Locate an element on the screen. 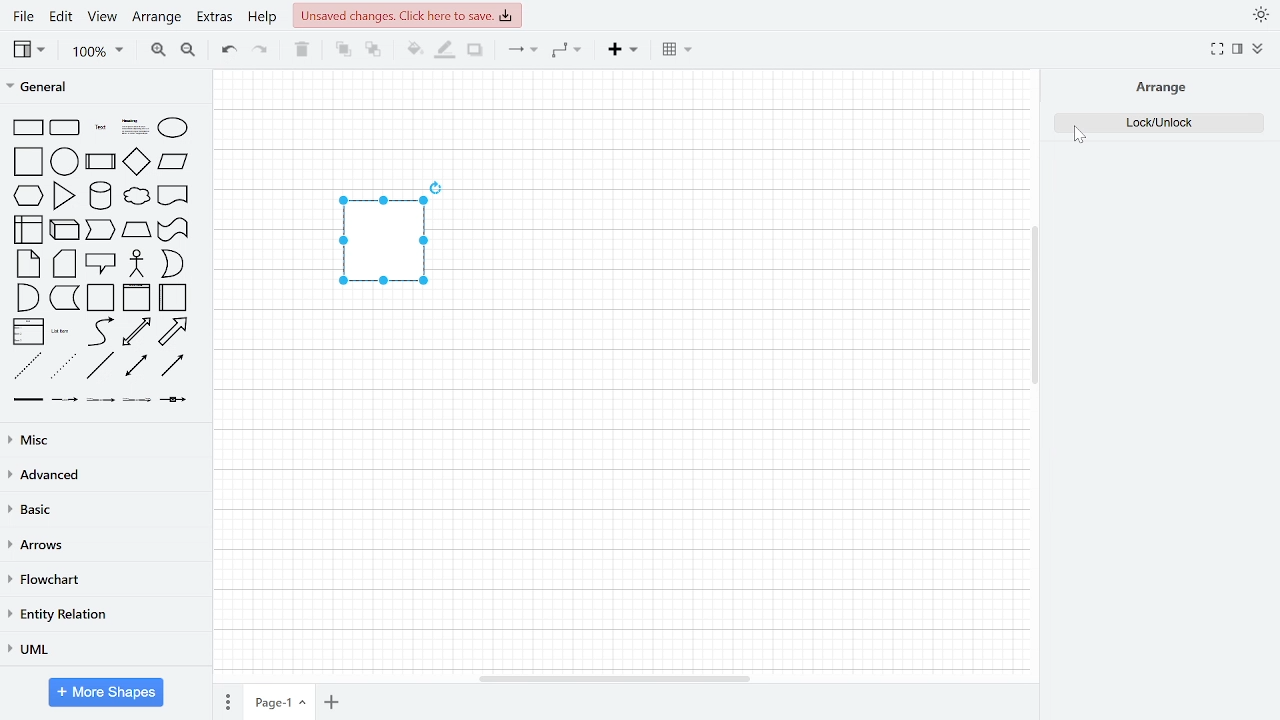 The image size is (1280, 720). appearance is located at coordinates (1258, 16).